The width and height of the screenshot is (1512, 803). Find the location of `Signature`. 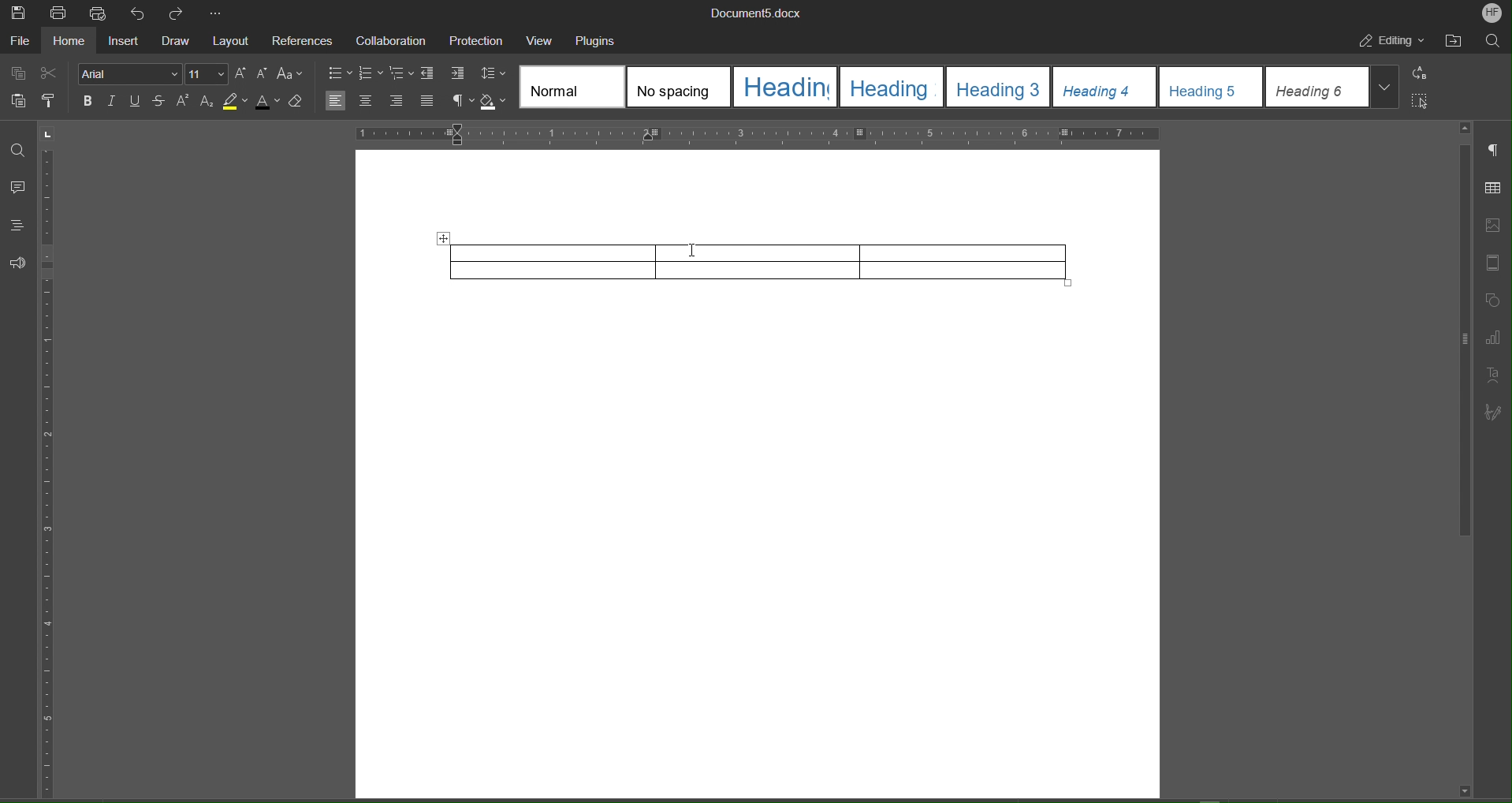

Signature is located at coordinates (1496, 409).